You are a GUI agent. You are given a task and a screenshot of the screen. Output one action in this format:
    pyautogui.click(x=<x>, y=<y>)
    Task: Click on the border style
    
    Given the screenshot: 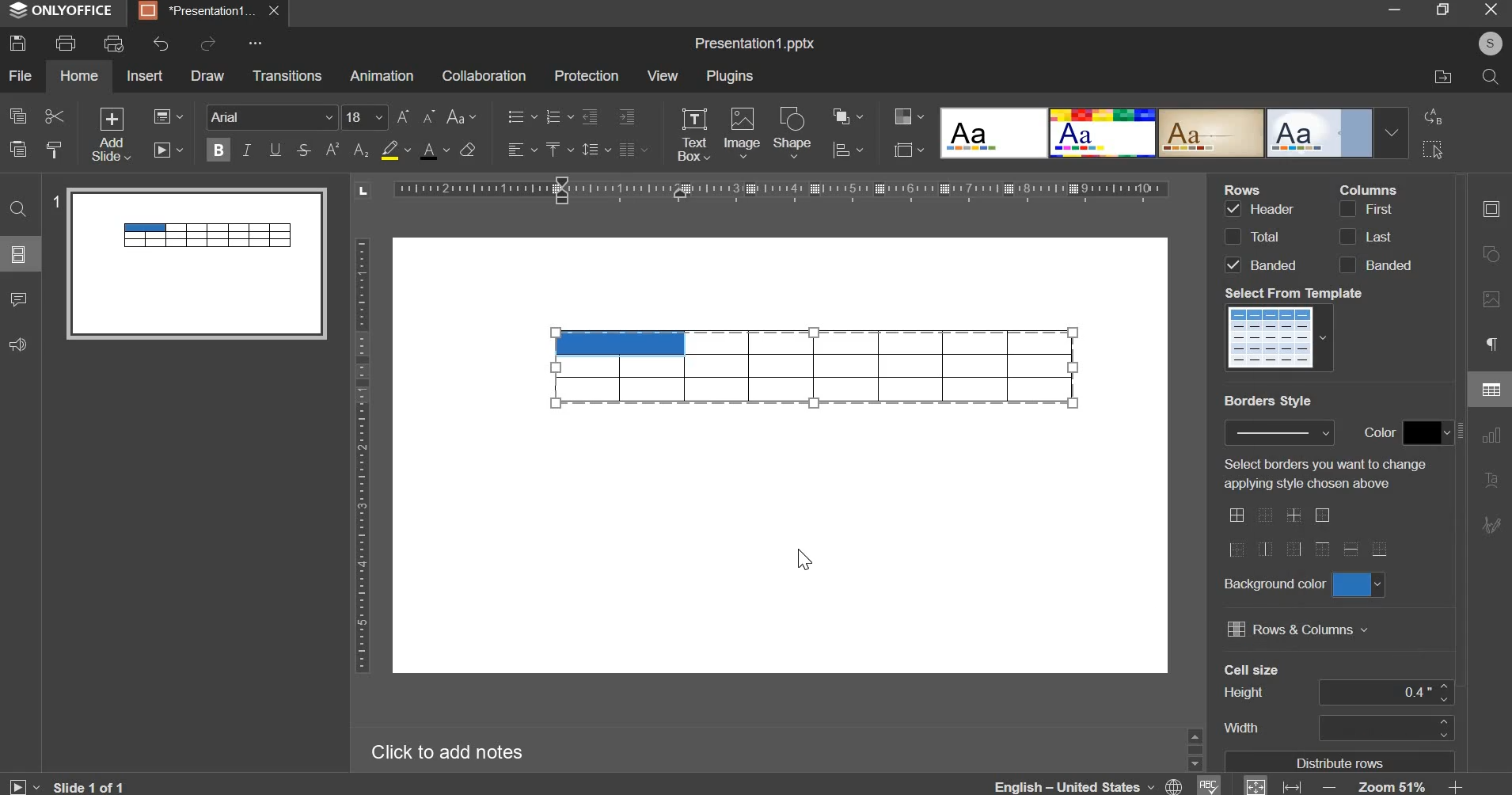 What is the action you would take?
    pyautogui.click(x=1309, y=531)
    